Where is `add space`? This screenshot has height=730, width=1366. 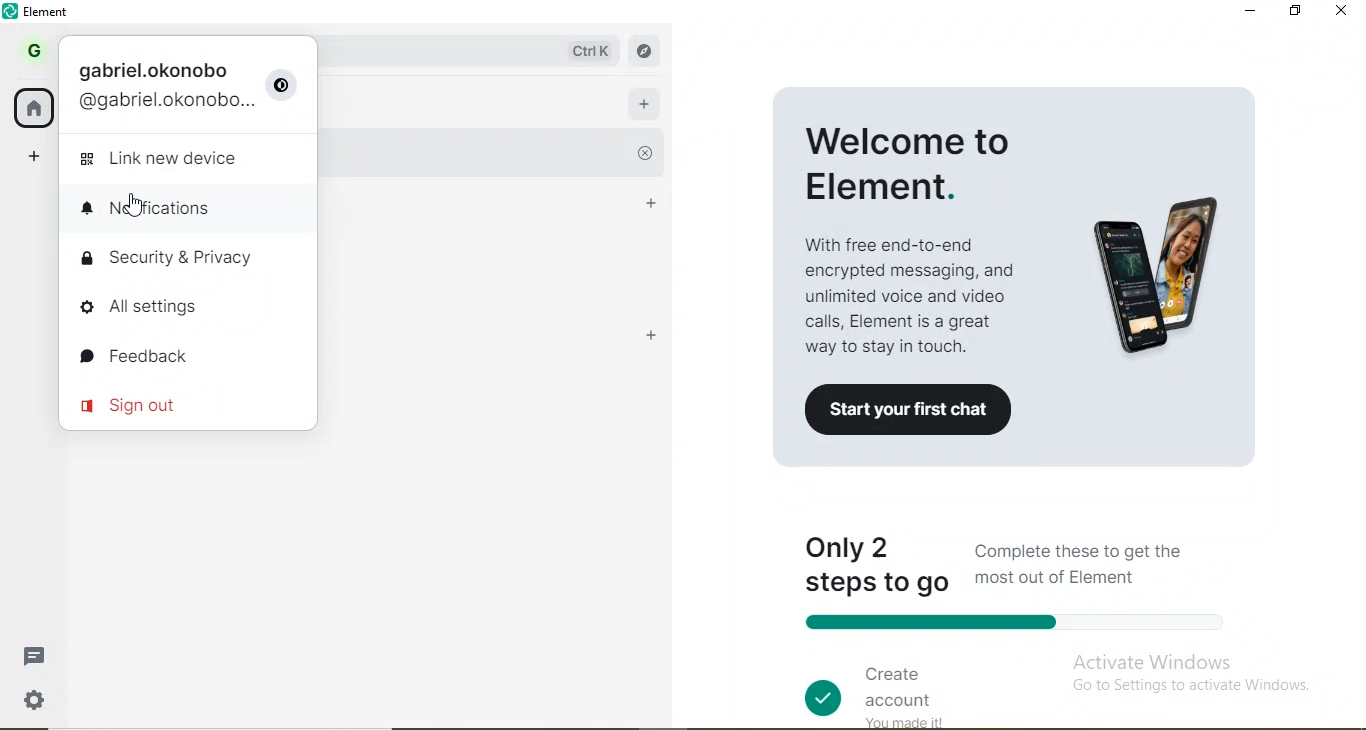 add space is located at coordinates (37, 156).